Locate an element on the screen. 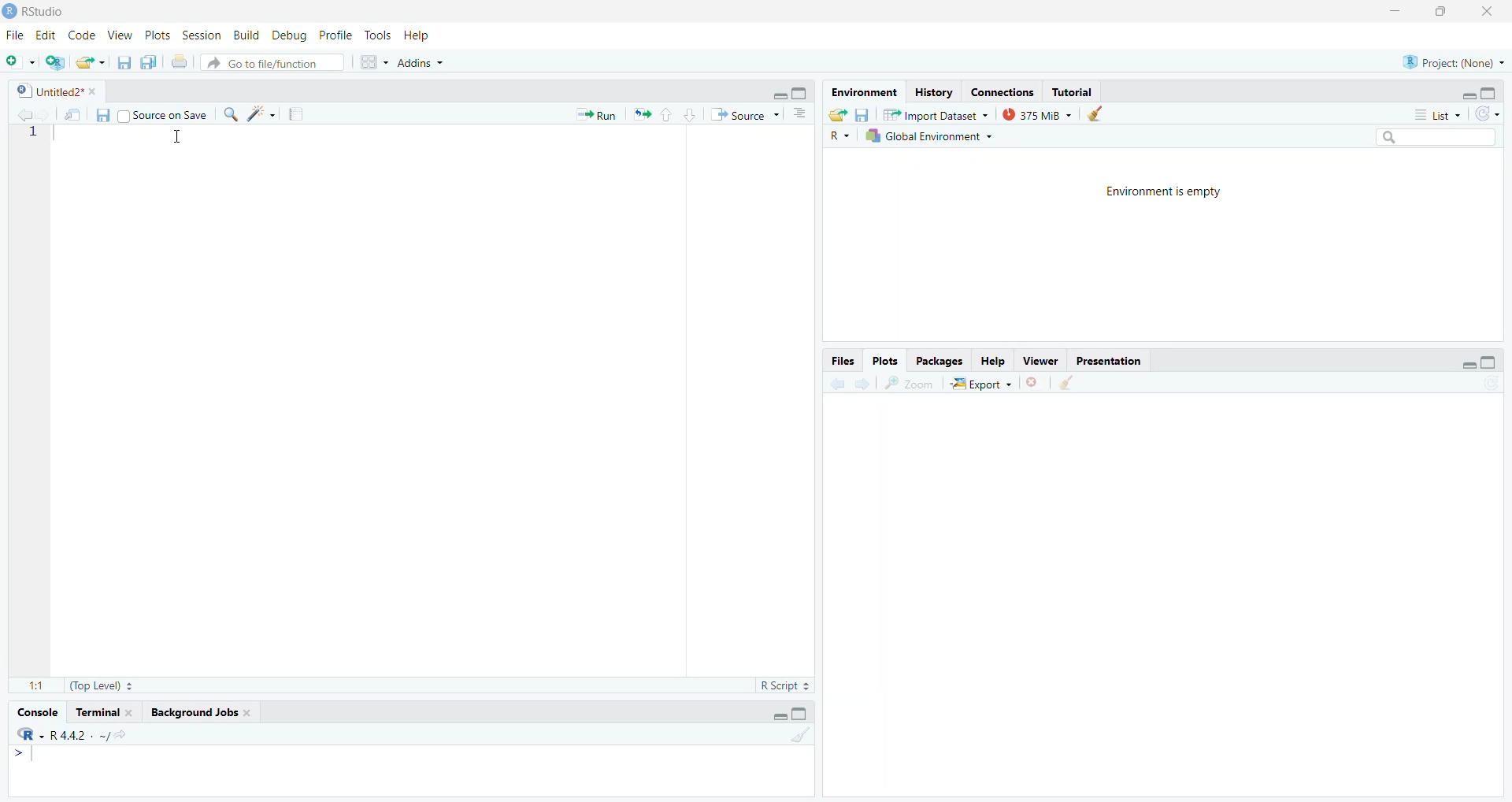 The width and height of the screenshot is (1512, 802). zoom is located at coordinates (910, 383).